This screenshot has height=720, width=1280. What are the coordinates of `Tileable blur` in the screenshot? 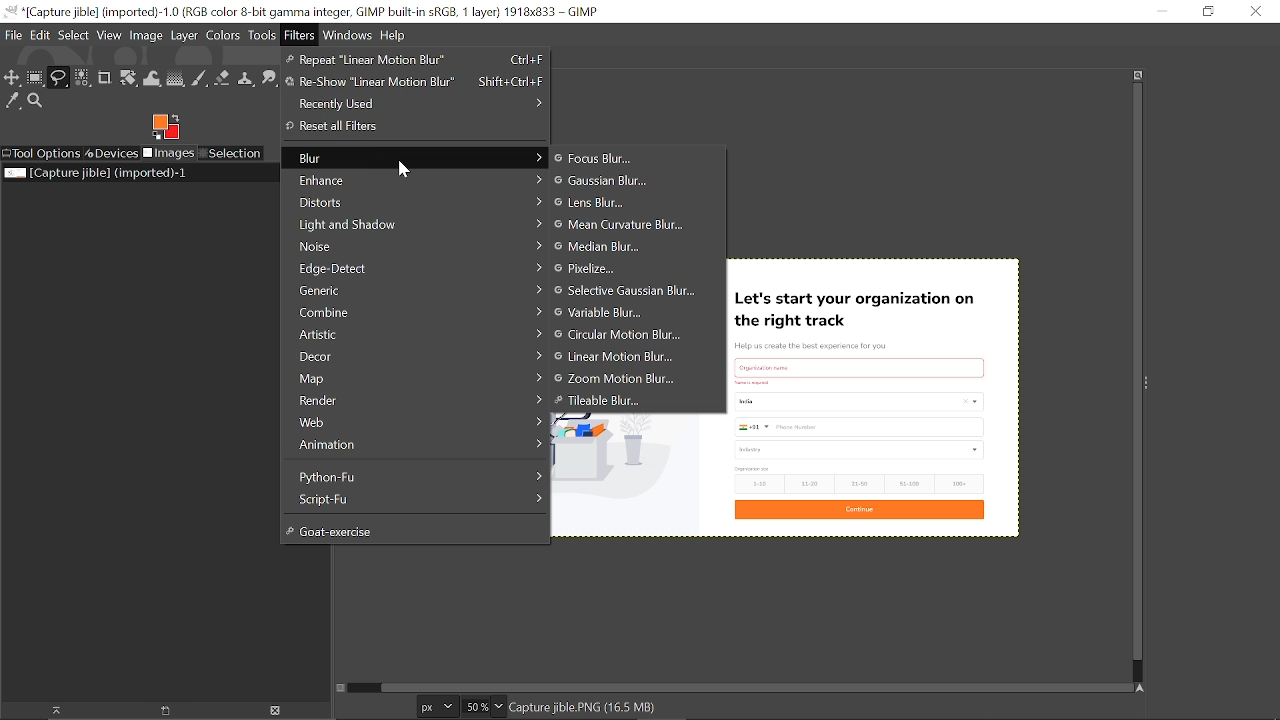 It's located at (614, 400).